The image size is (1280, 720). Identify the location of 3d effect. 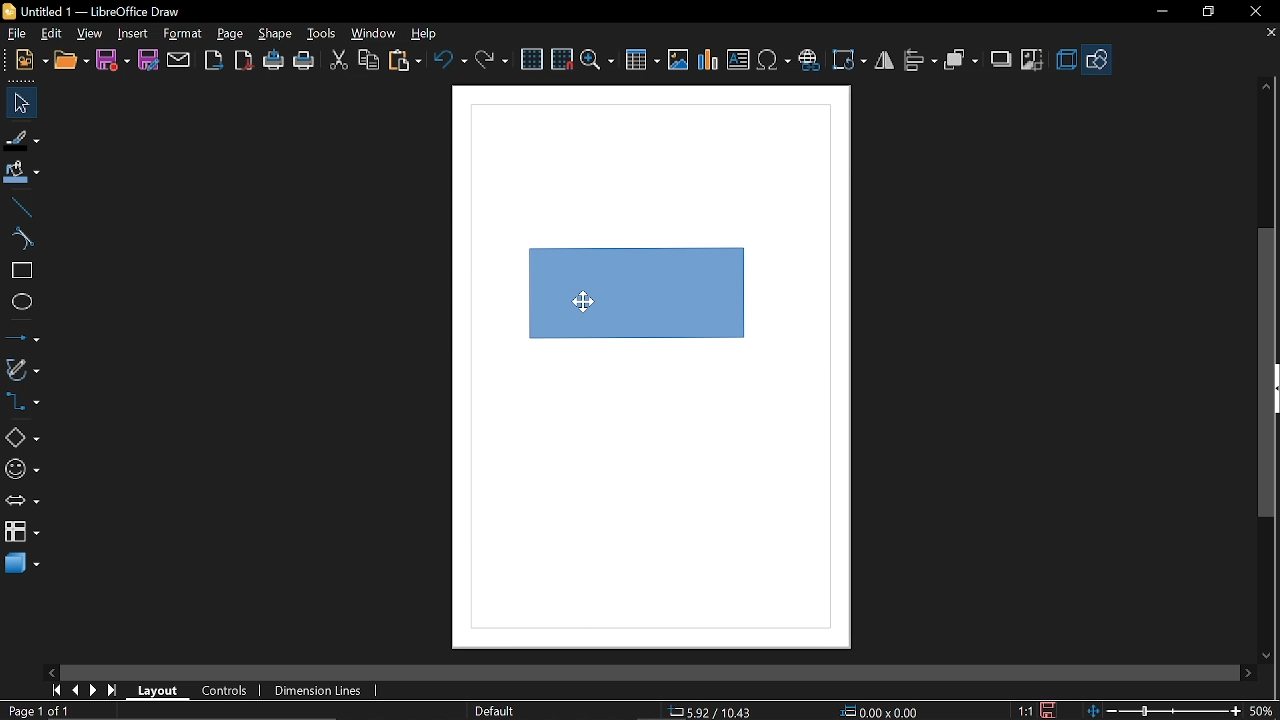
(1066, 60).